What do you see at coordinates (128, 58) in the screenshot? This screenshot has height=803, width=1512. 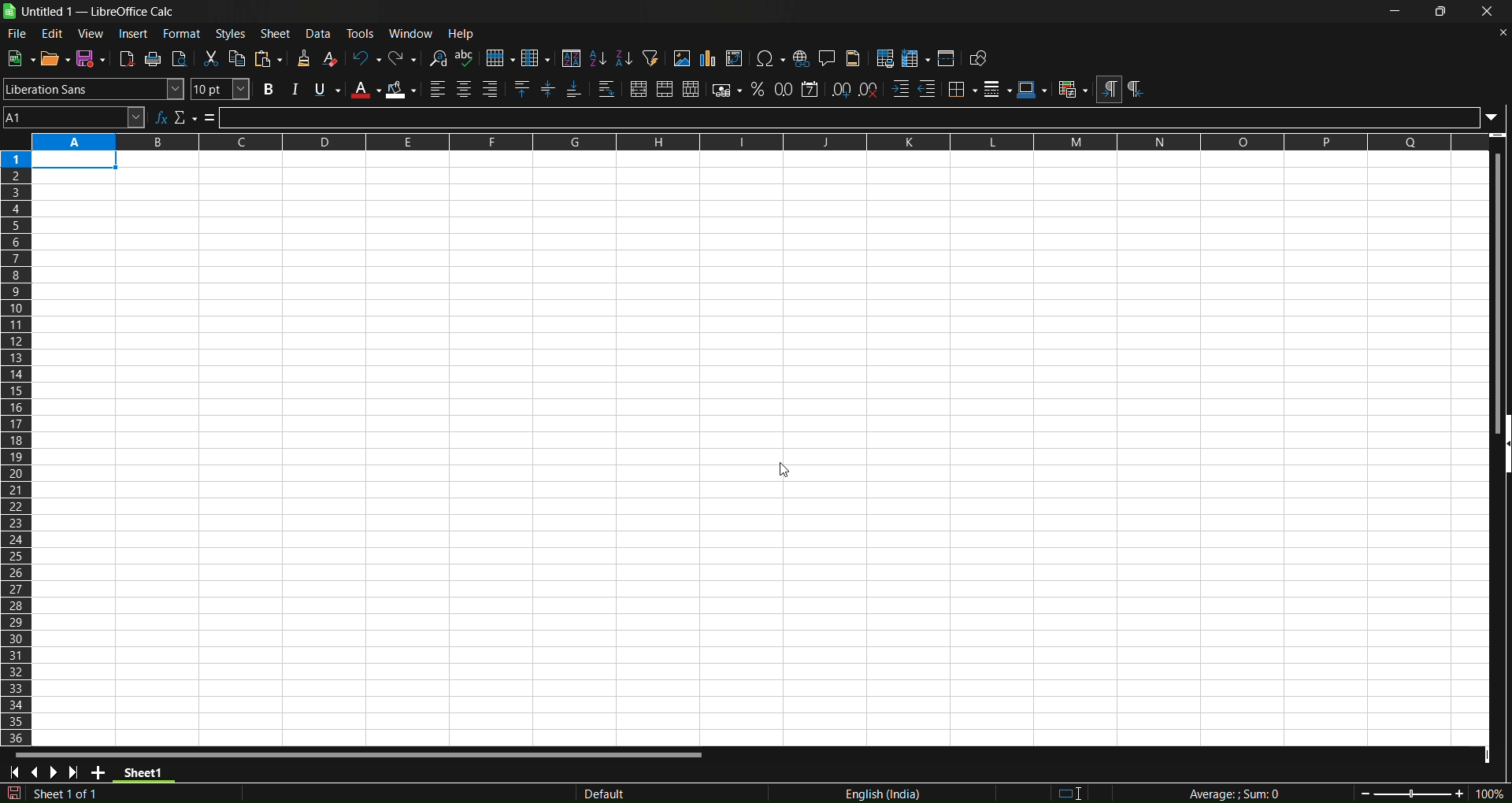 I see `export directly as pdf` at bounding box center [128, 58].